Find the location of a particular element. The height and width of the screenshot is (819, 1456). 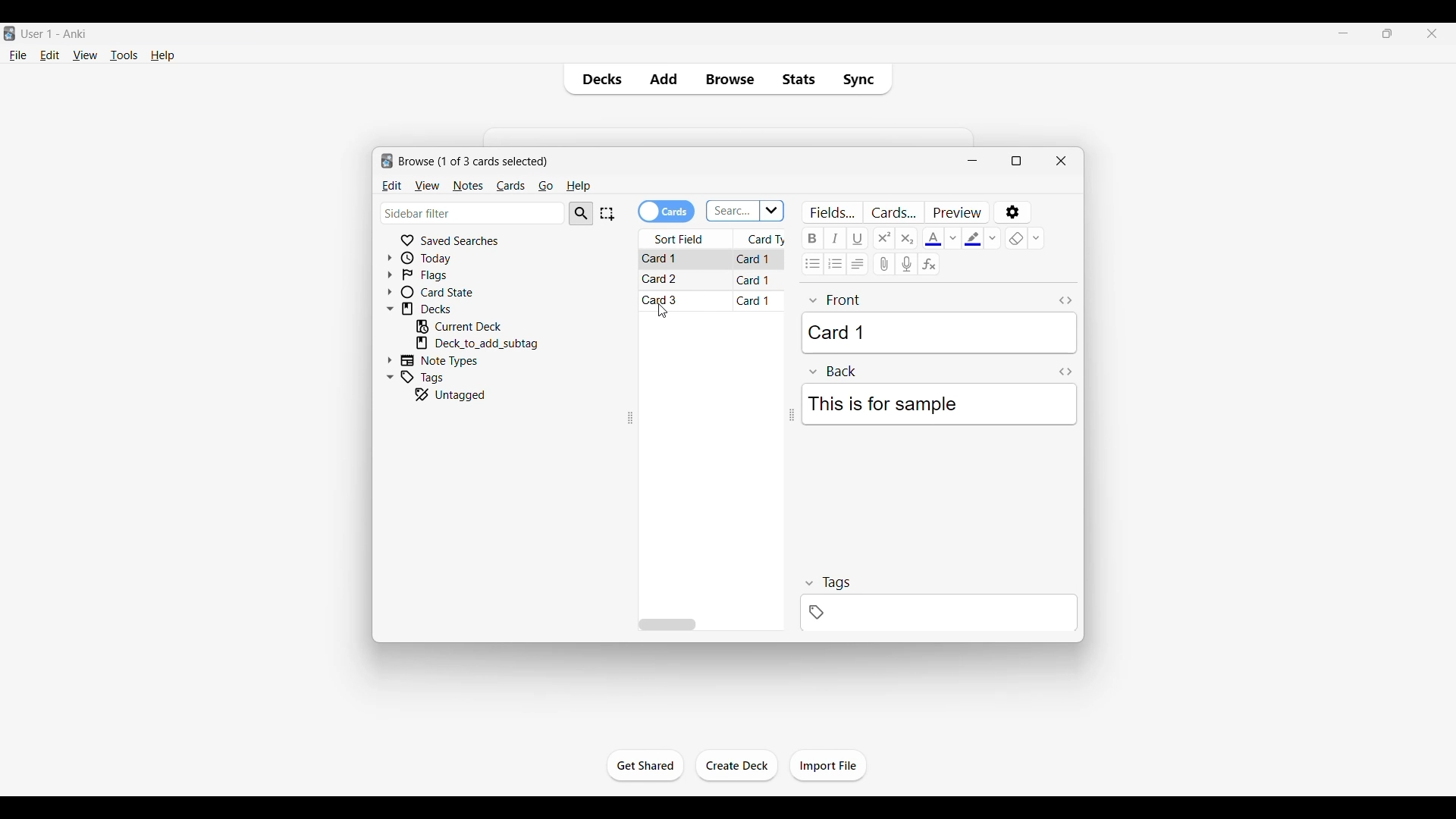

Card 1 is located at coordinates (755, 259).